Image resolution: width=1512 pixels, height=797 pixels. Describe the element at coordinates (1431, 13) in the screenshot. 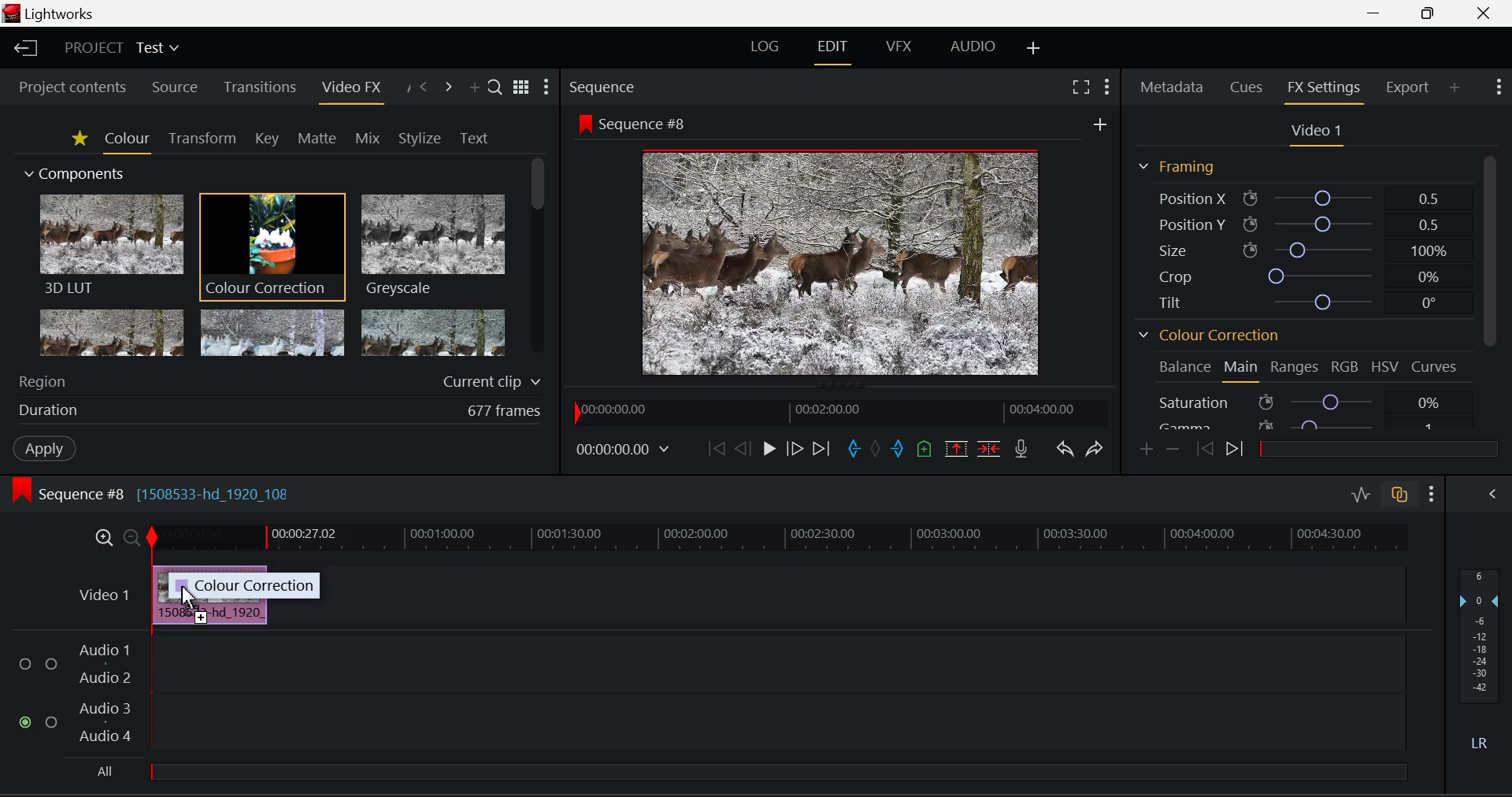

I see `Minimize` at that location.